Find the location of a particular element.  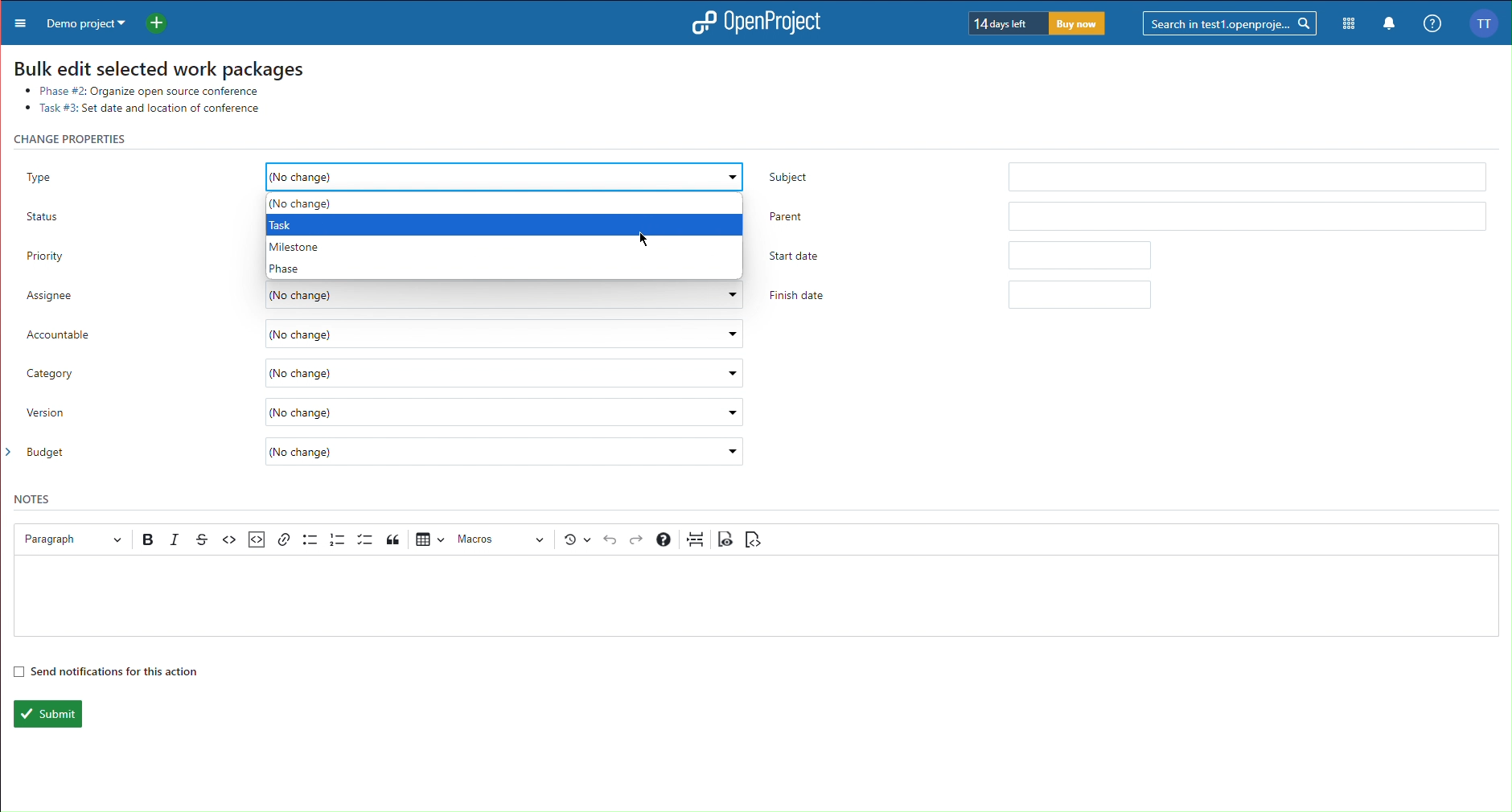

Subject is located at coordinates (1124, 174).